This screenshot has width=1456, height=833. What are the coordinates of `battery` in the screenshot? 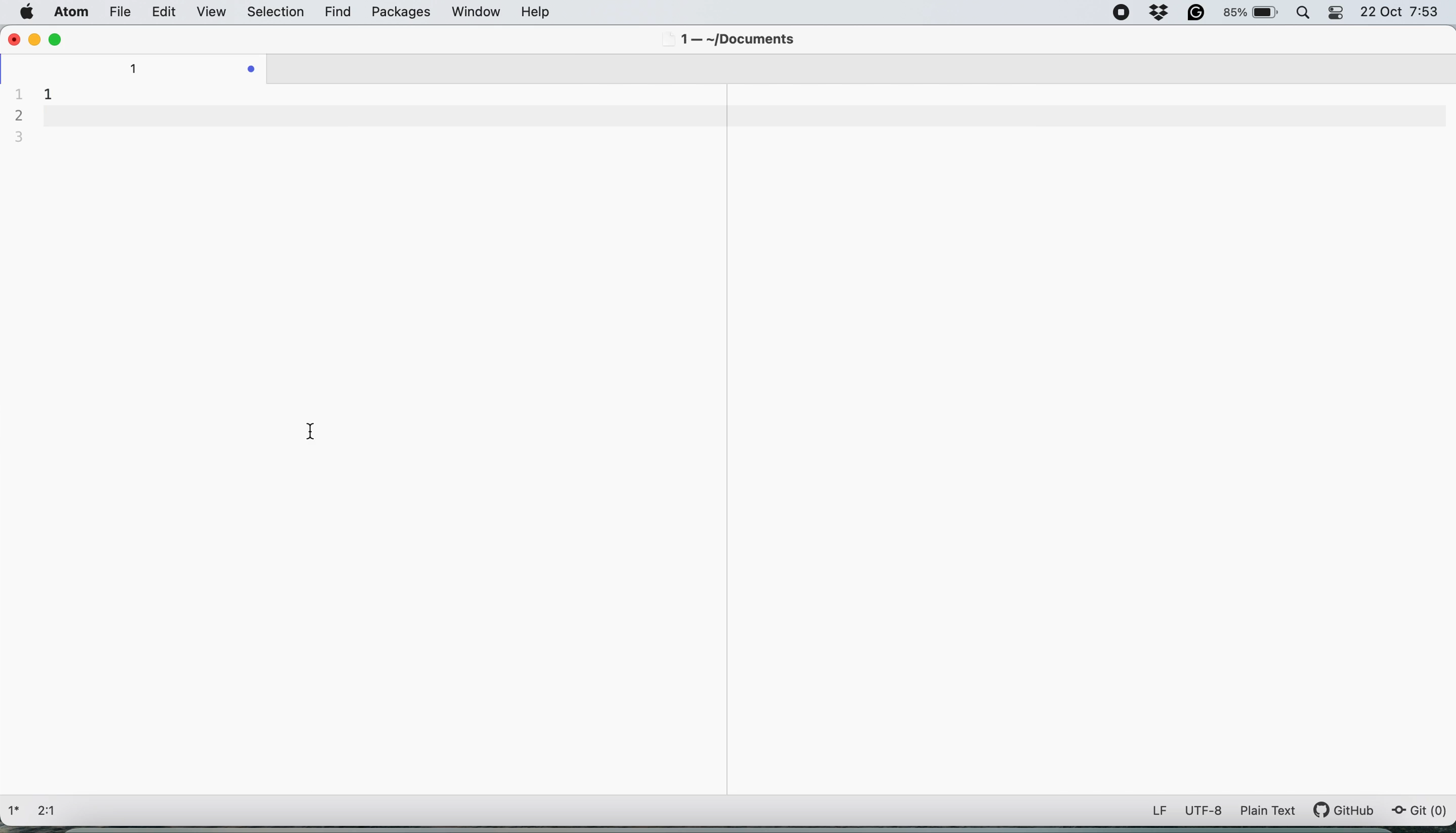 It's located at (1250, 11).